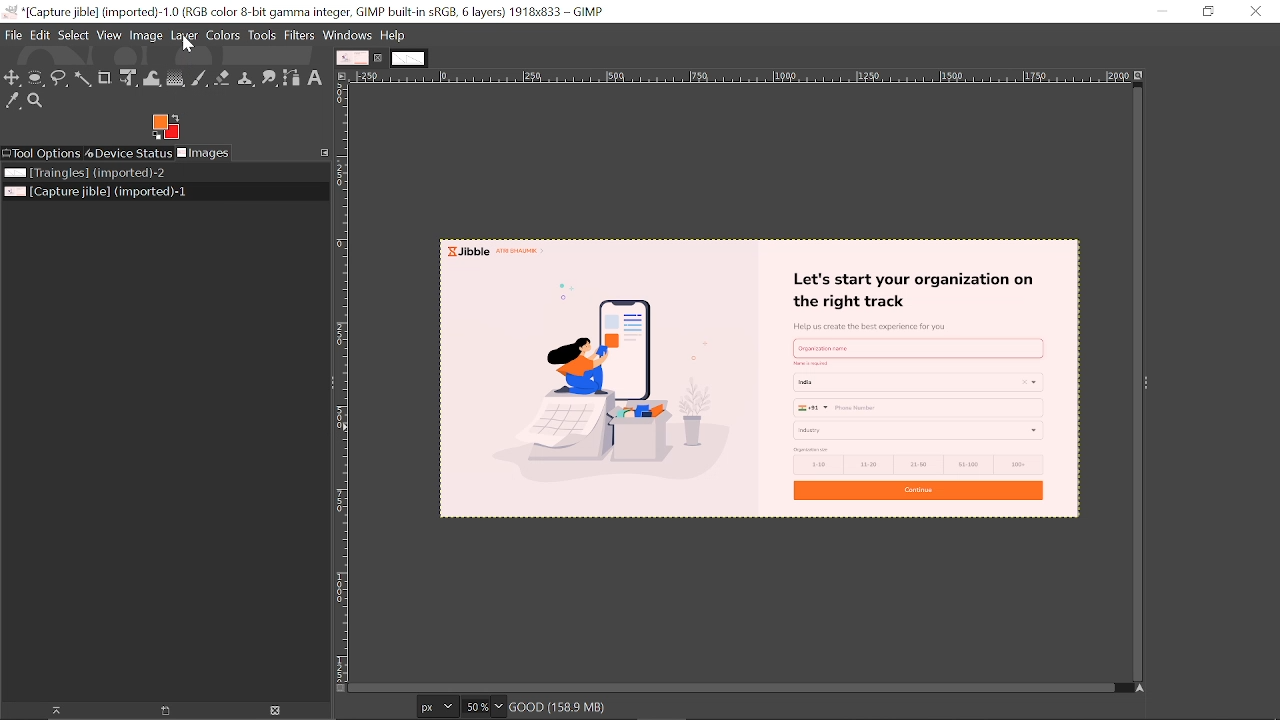 The image size is (1280, 720). What do you see at coordinates (1142, 689) in the screenshot?
I see `Navigate this display` at bounding box center [1142, 689].